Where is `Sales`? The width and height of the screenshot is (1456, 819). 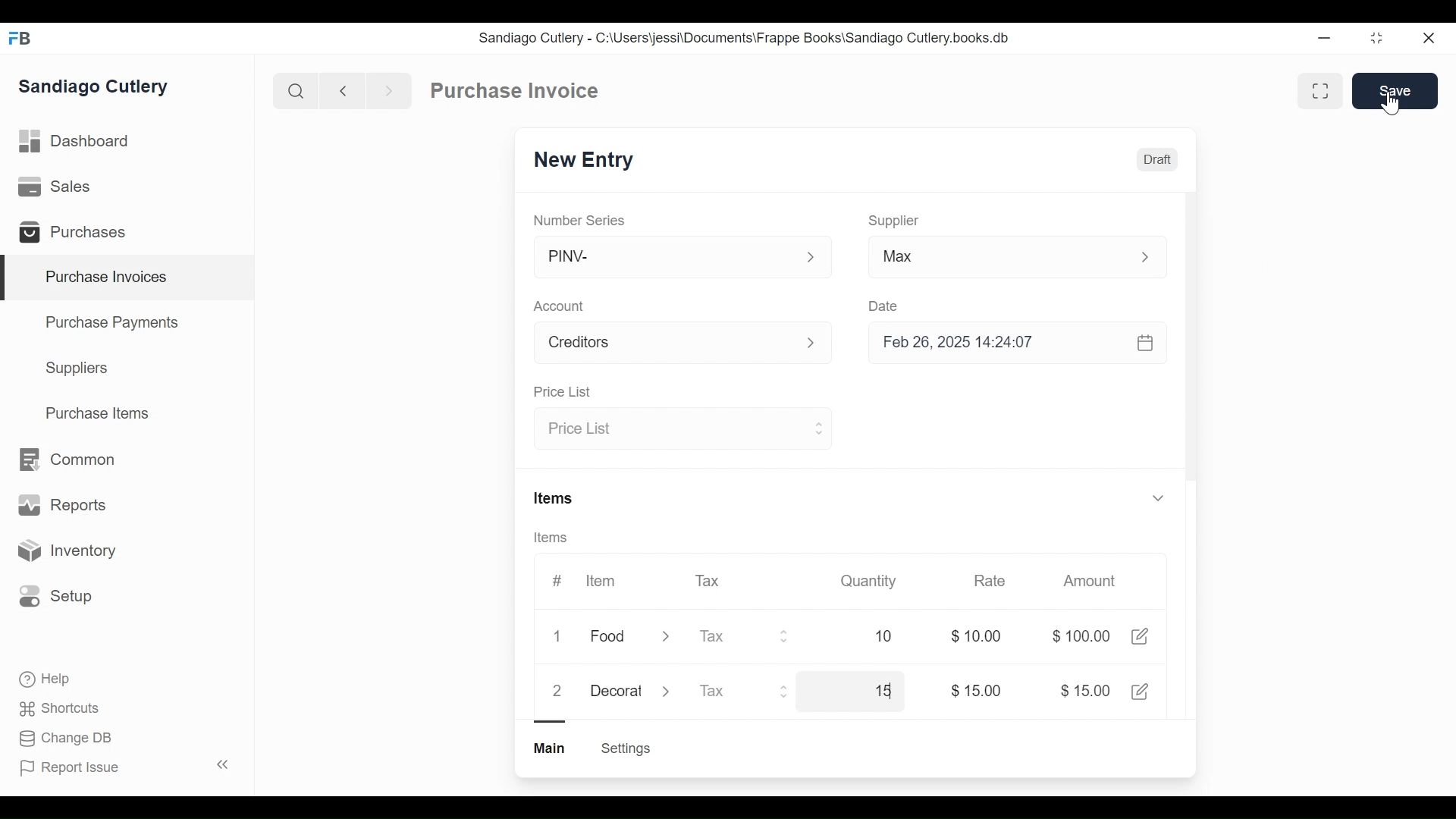 Sales is located at coordinates (58, 187).